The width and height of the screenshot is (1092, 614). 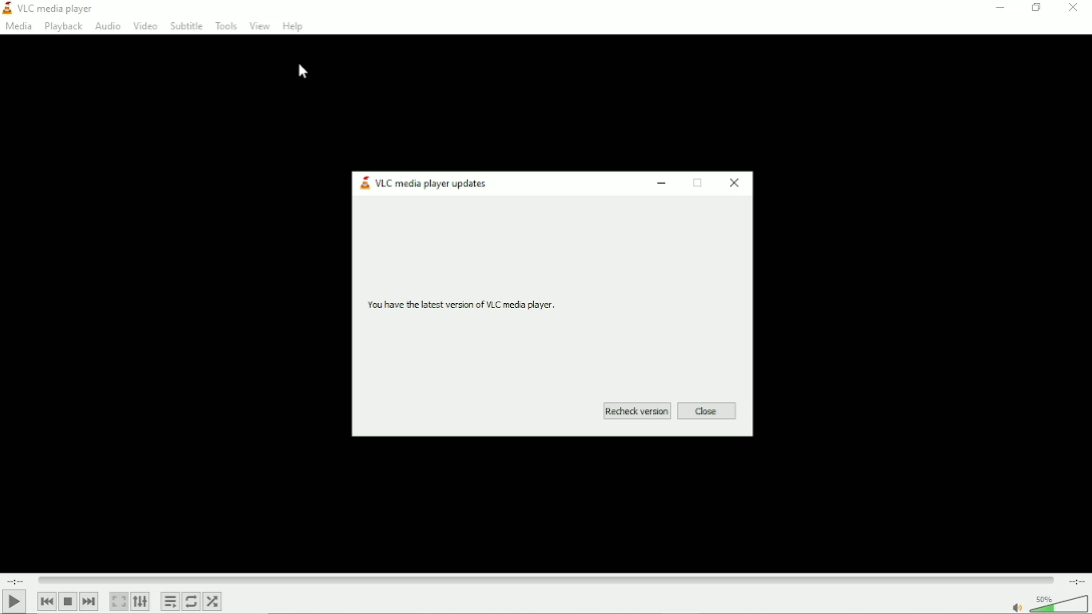 I want to click on Toggle between loop all, loop one and no loop, so click(x=191, y=602).